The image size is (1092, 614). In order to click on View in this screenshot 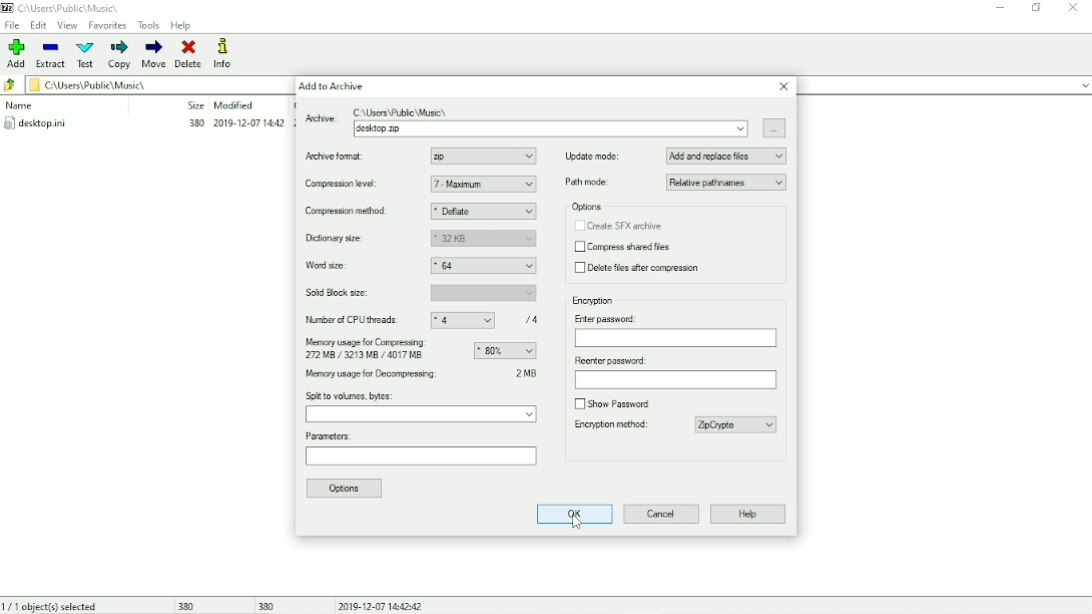, I will do `click(68, 25)`.